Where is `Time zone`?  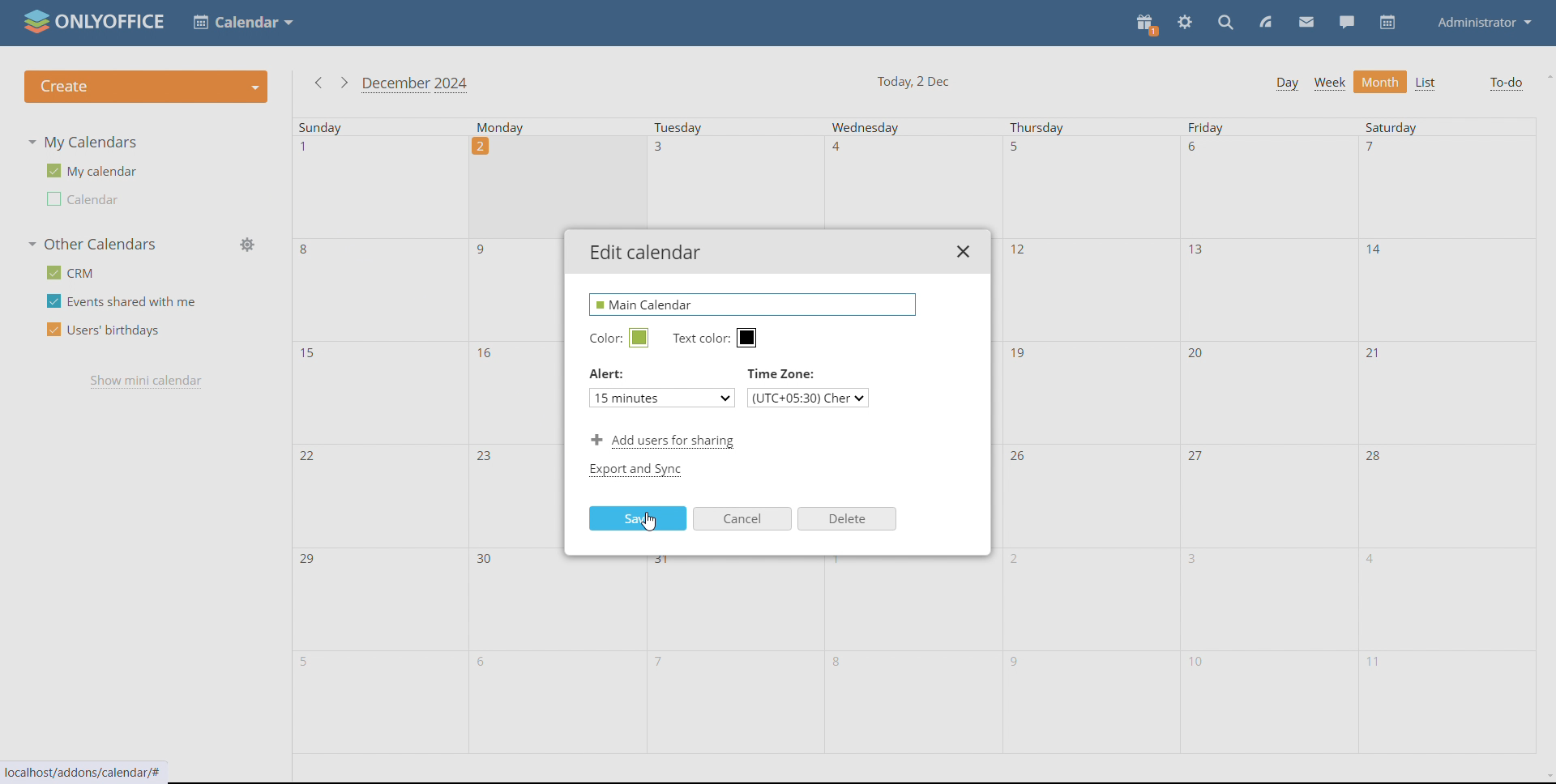 Time zone is located at coordinates (781, 375).